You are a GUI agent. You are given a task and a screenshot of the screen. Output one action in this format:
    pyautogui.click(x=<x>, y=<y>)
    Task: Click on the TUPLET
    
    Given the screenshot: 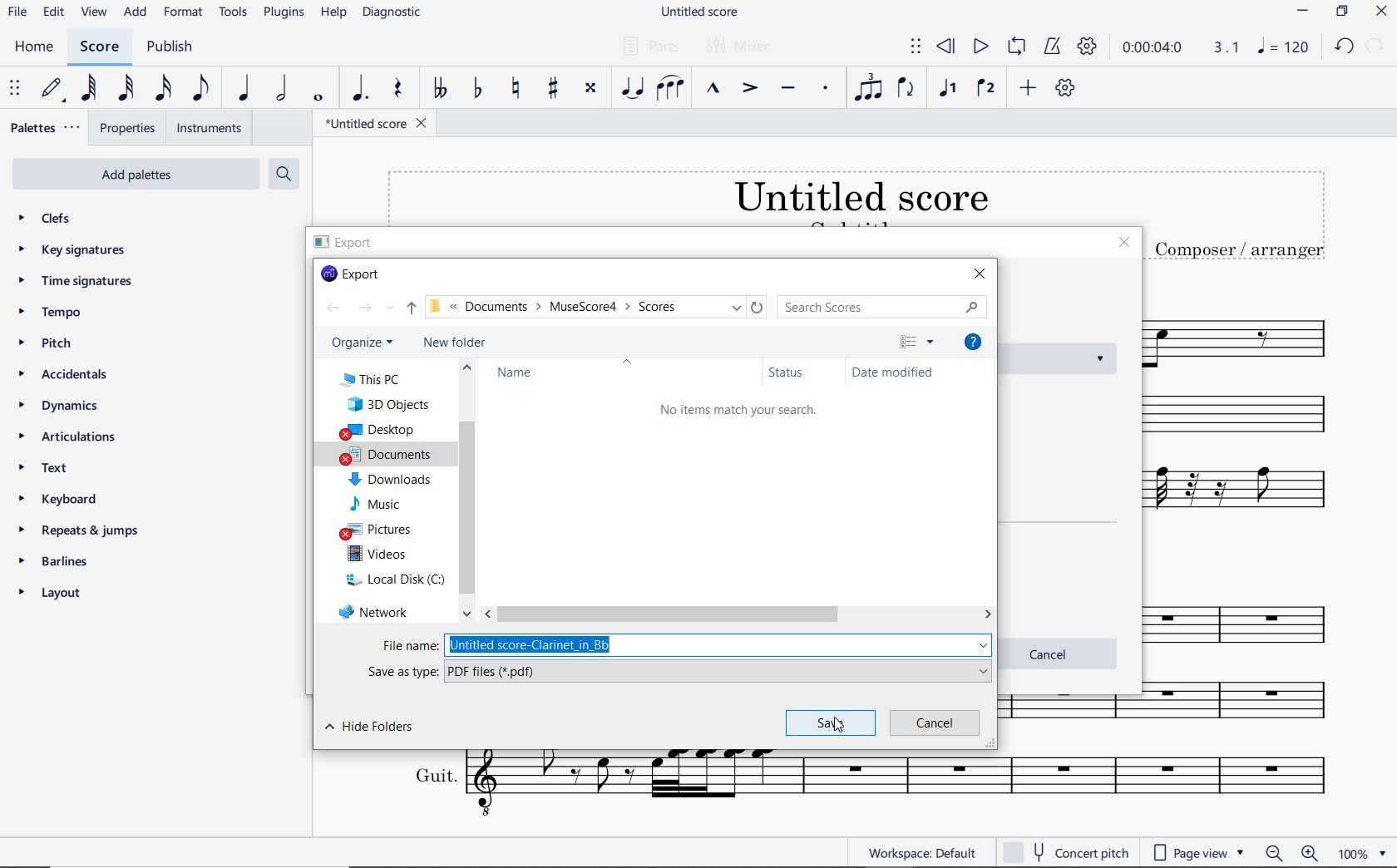 What is the action you would take?
    pyautogui.click(x=869, y=87)
    